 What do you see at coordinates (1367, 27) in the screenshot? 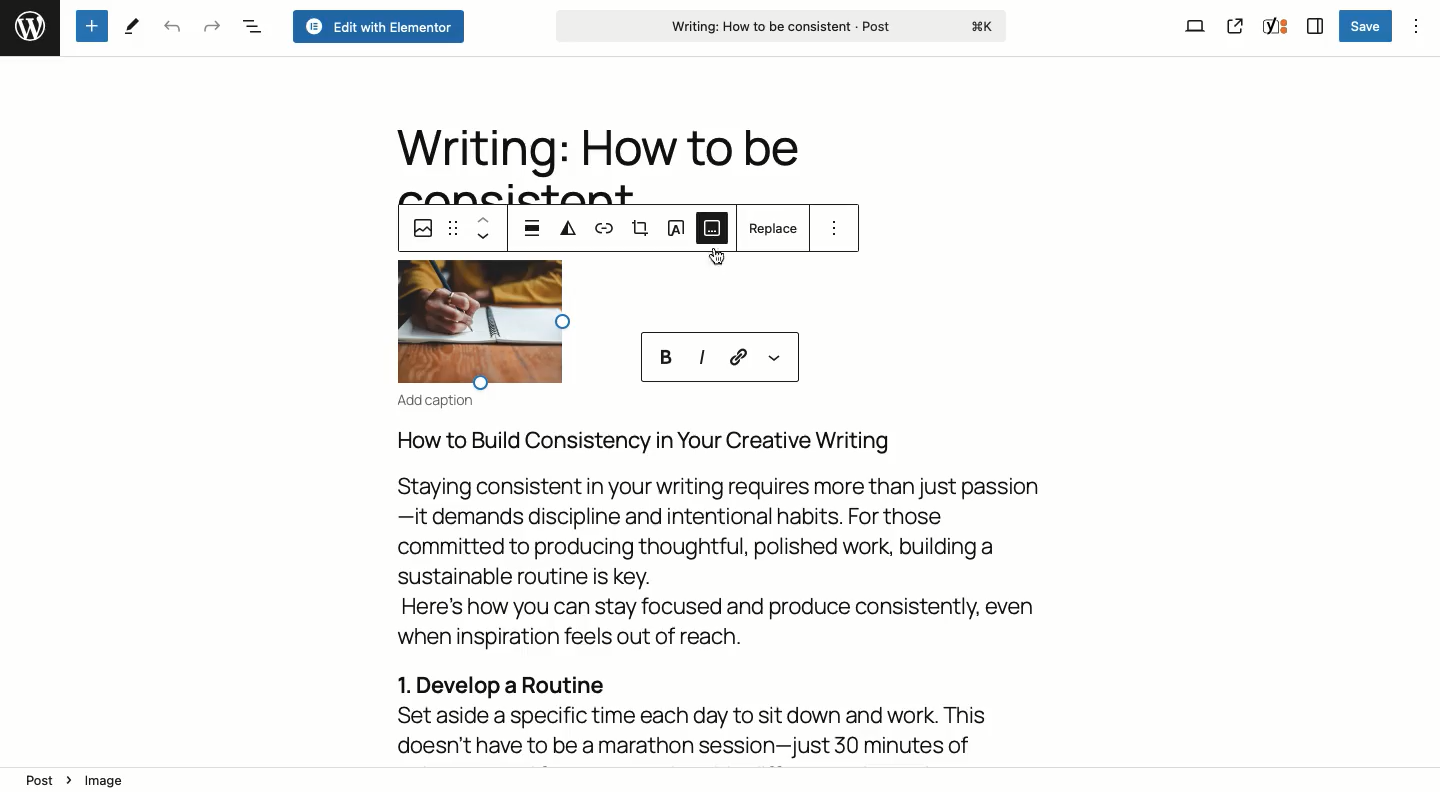
I see `Save` at bounding box center [1367, 27].